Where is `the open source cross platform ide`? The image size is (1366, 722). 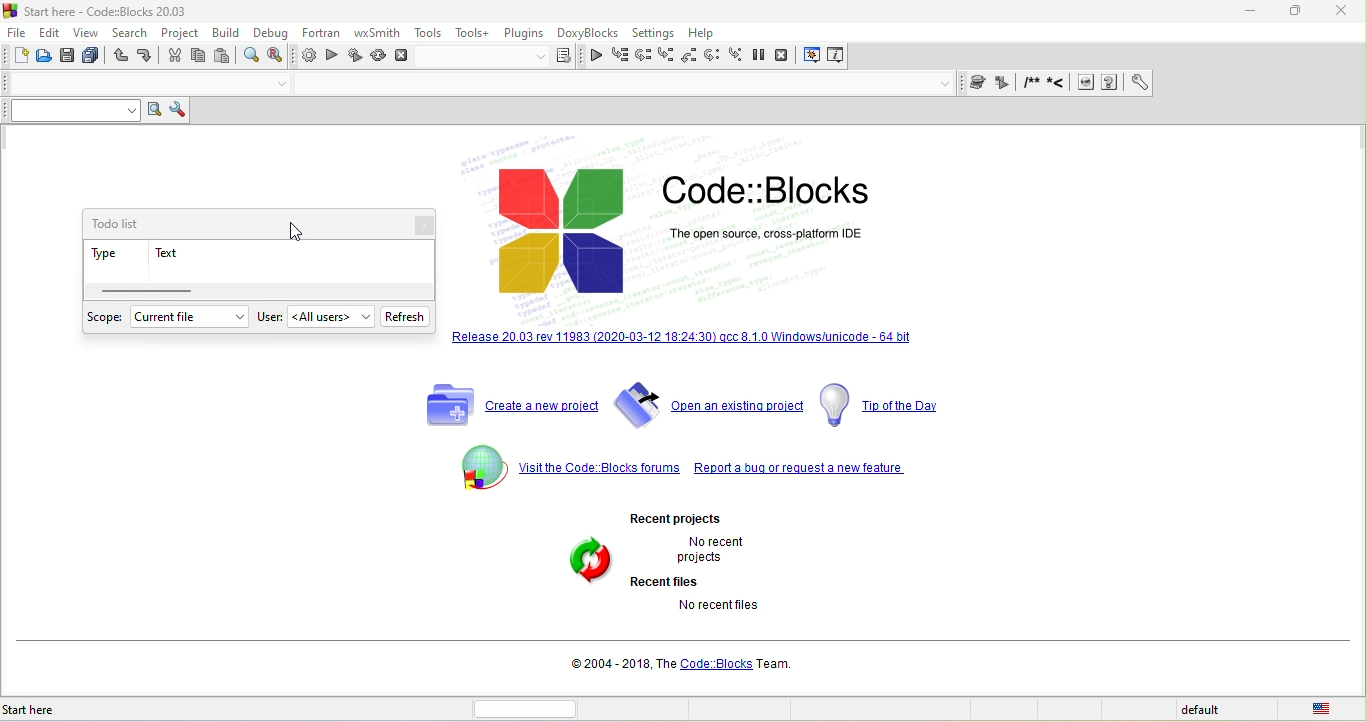
the open source cross platform ide is located at coordinates (767, 233).